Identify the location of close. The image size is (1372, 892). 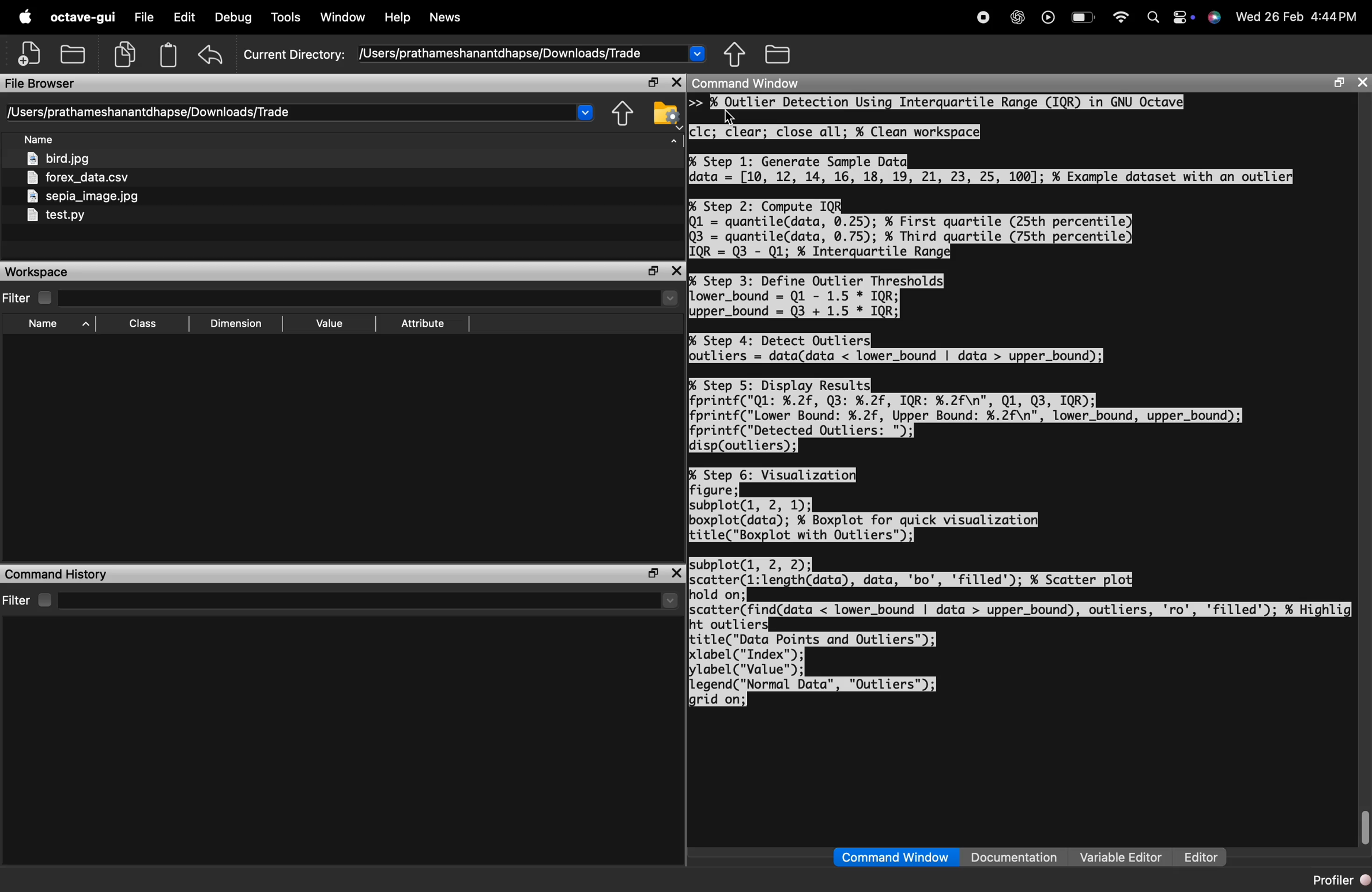
(678, 82).